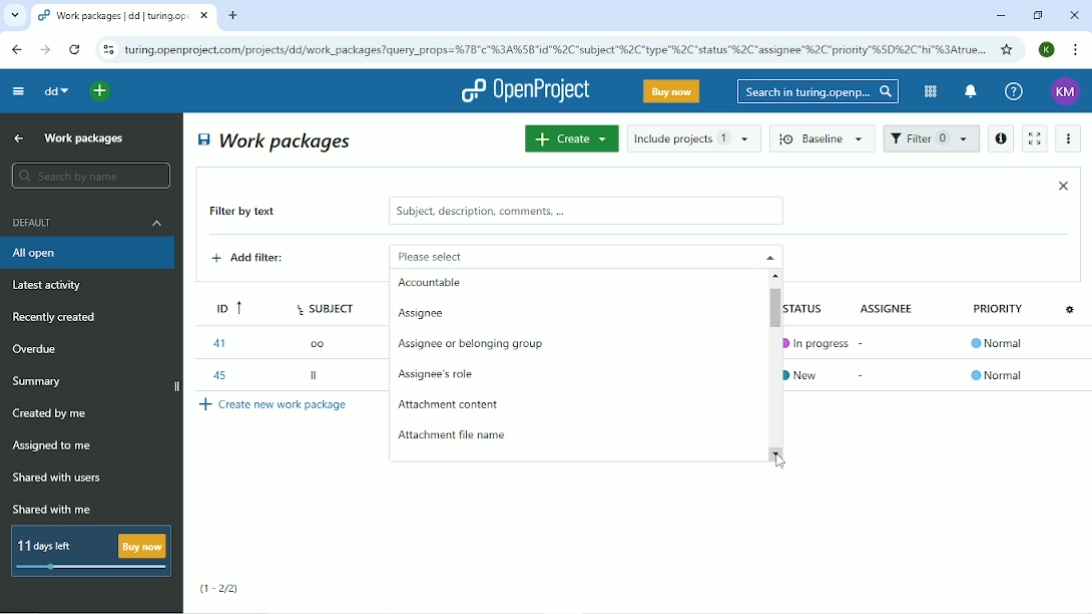 This screenshot has width=1092, height=614. What do you see at coordinates (85, 137) in the screenshot?
I see `Work packages` at bounding box center [85, 137].